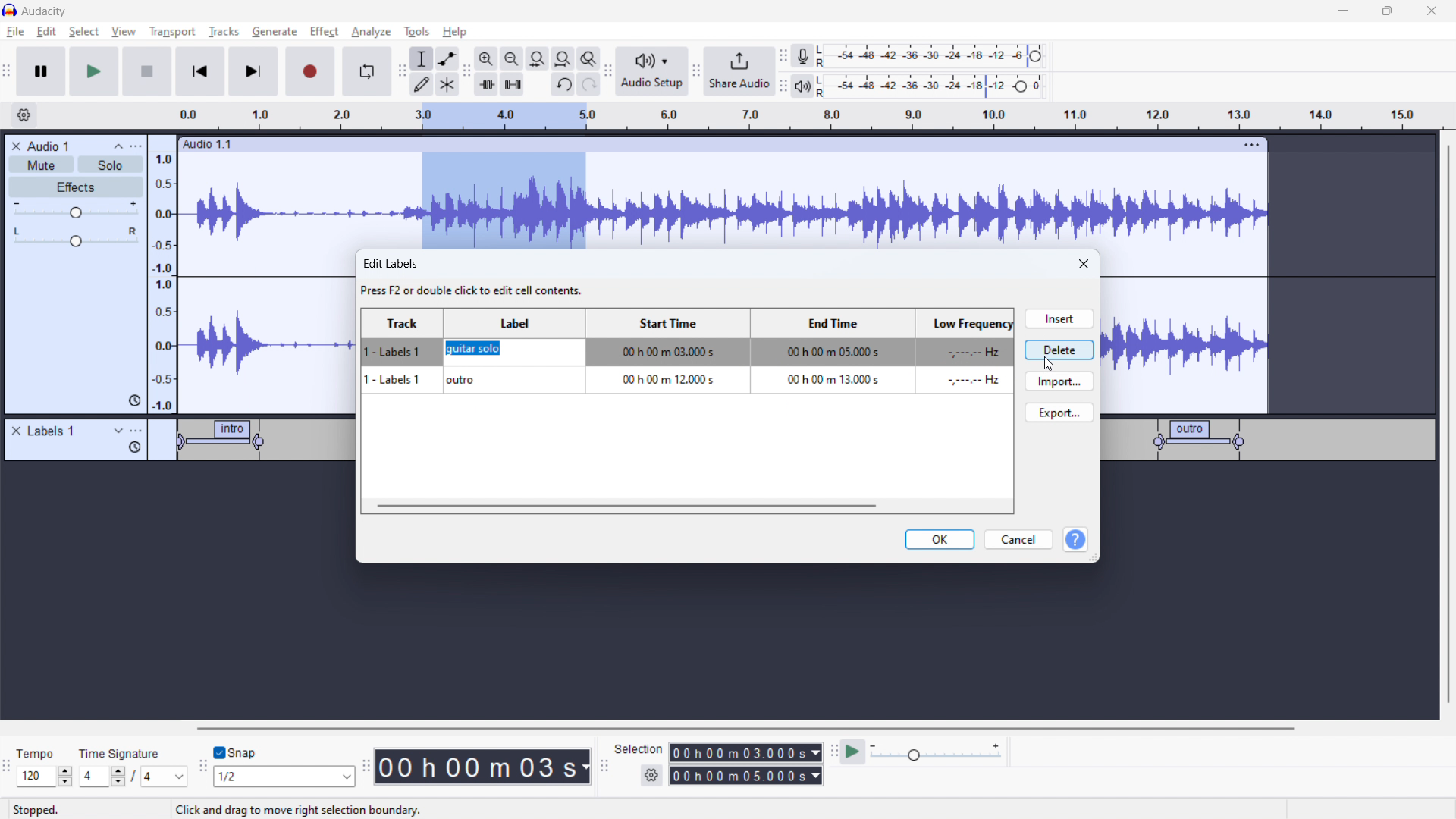  What do you see at coordinates (16, 32) in the screenshot?
I see `file` at bounding box center [16, 32].